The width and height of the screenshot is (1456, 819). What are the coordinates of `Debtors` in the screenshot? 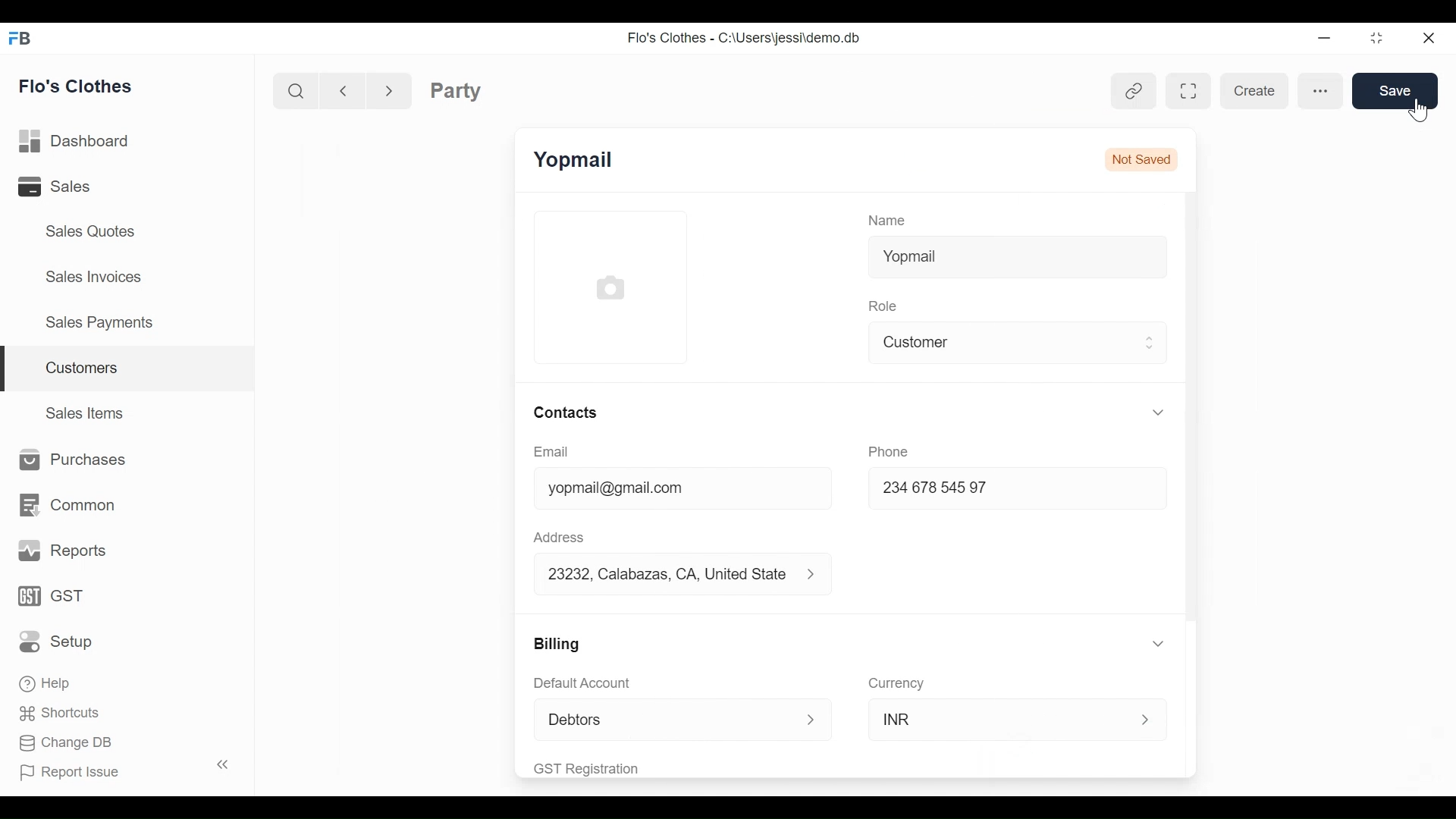 It's located at (670, 717).